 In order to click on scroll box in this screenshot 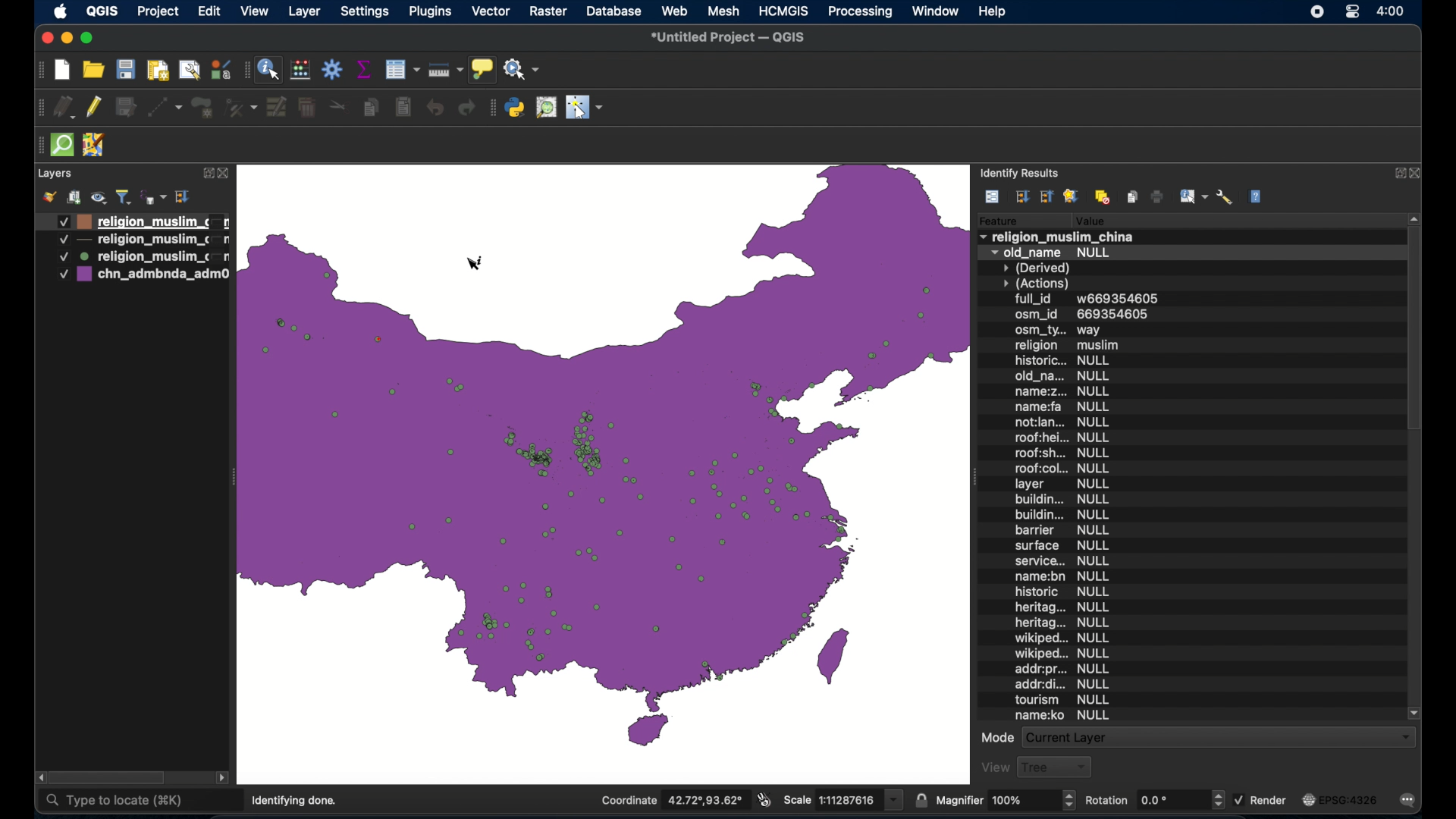, I will do `click(1414, 332)`.